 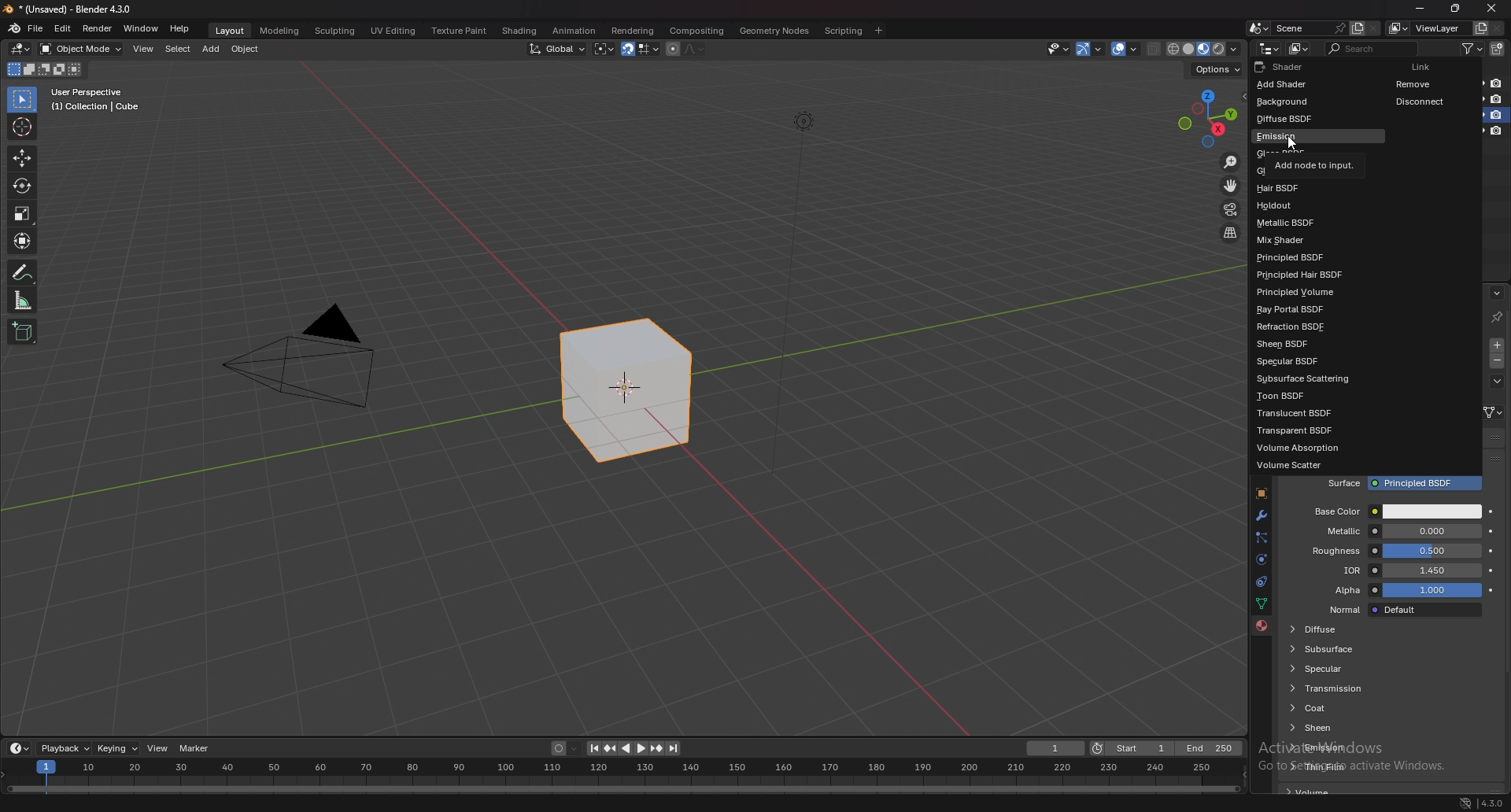 I want to click on remove material, so click(x=1498, y=363).